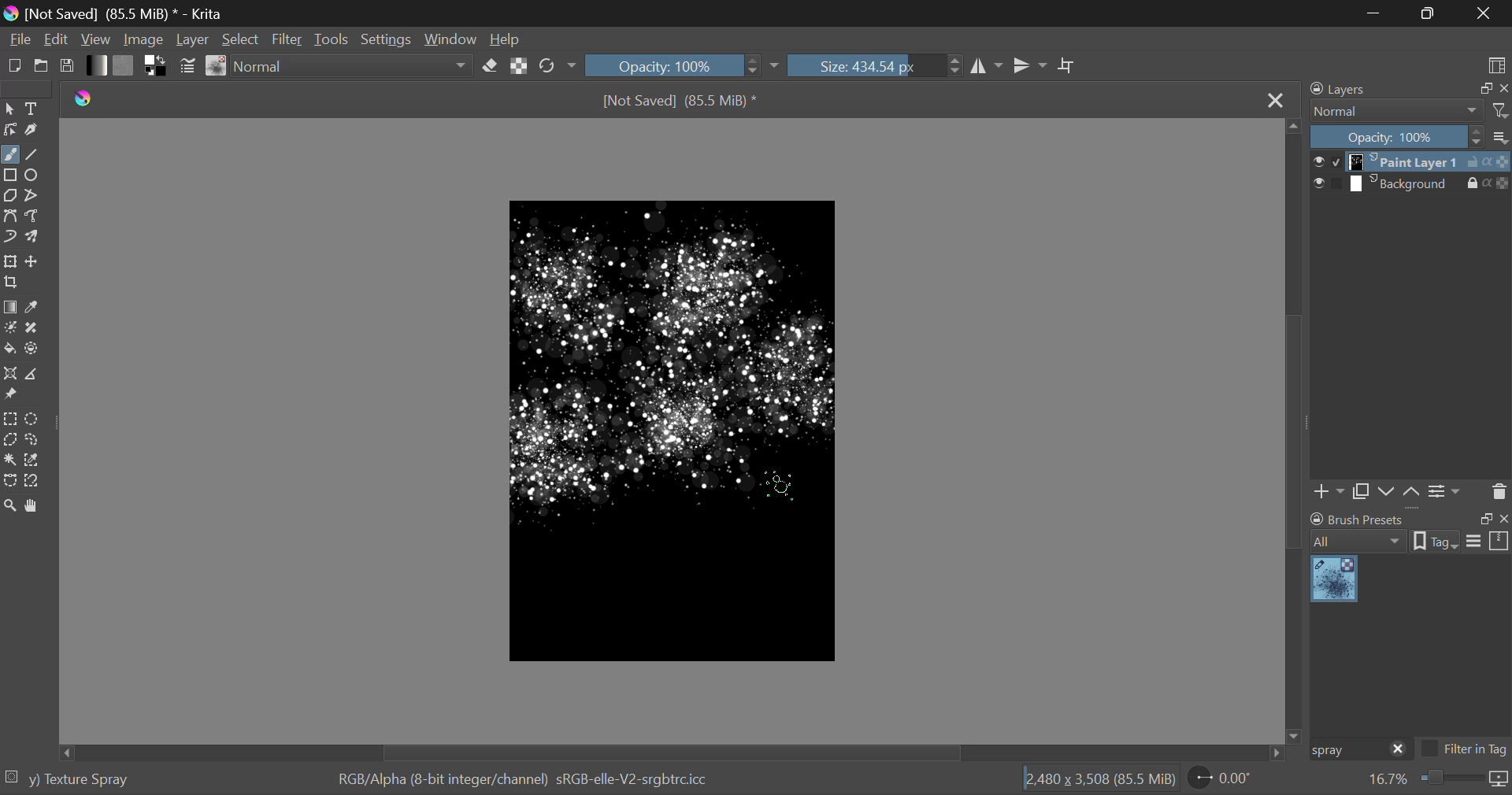  Describe the element at coordinates (490, 66) in the screenshot. I see `Eraser` at that location.